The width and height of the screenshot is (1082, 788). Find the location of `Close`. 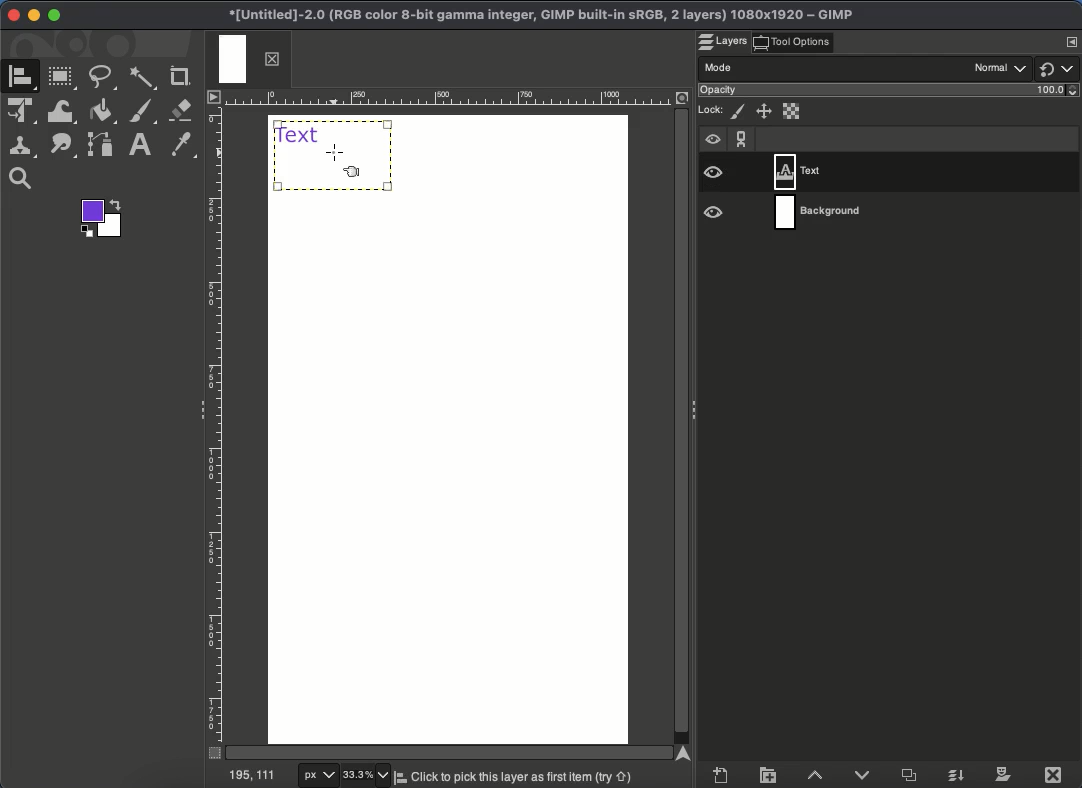

Close is located at coordinates (13, 15).